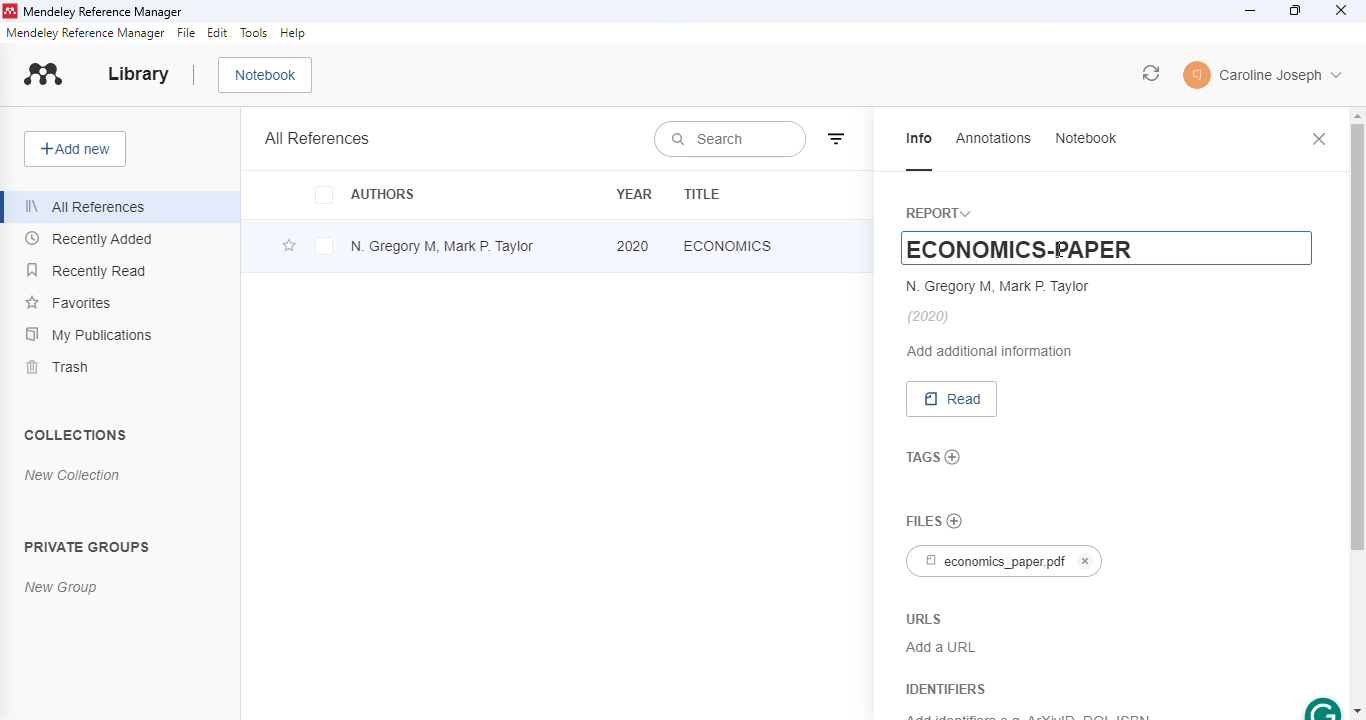 This screenshot has width=1366, height=720. Describe the element at coordinates (43, 73) in the screenshot. I see `logo` at that location.